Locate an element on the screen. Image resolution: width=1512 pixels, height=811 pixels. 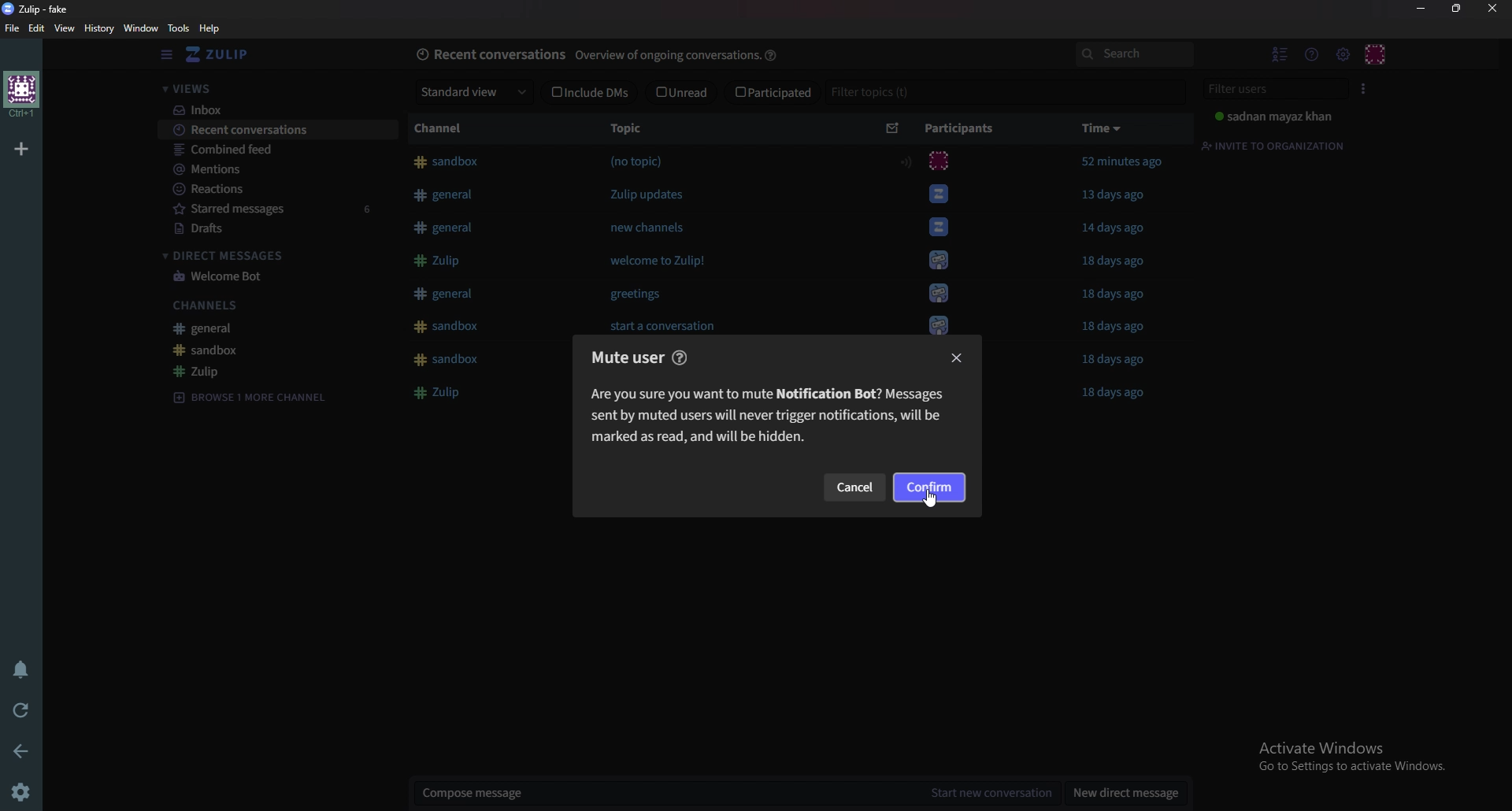
#Zulip is located at coordinates (438, 261).